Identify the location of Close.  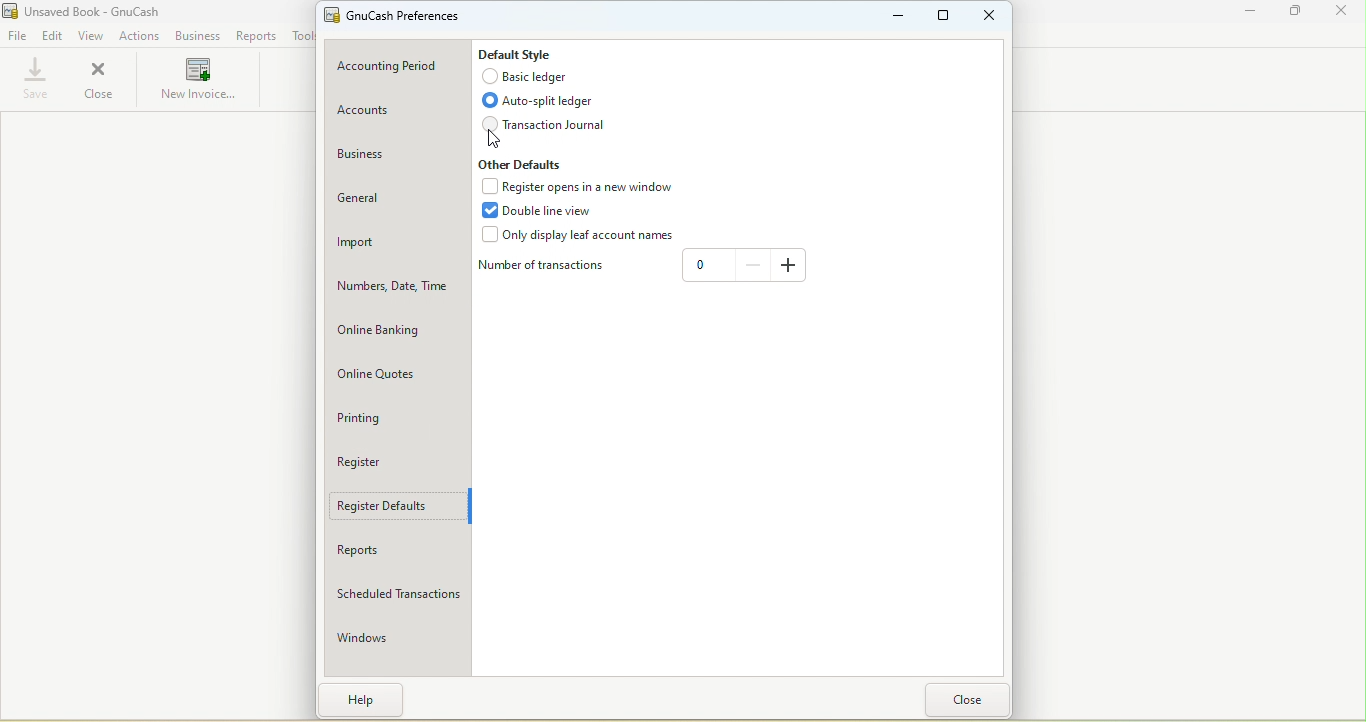
(985, 17).